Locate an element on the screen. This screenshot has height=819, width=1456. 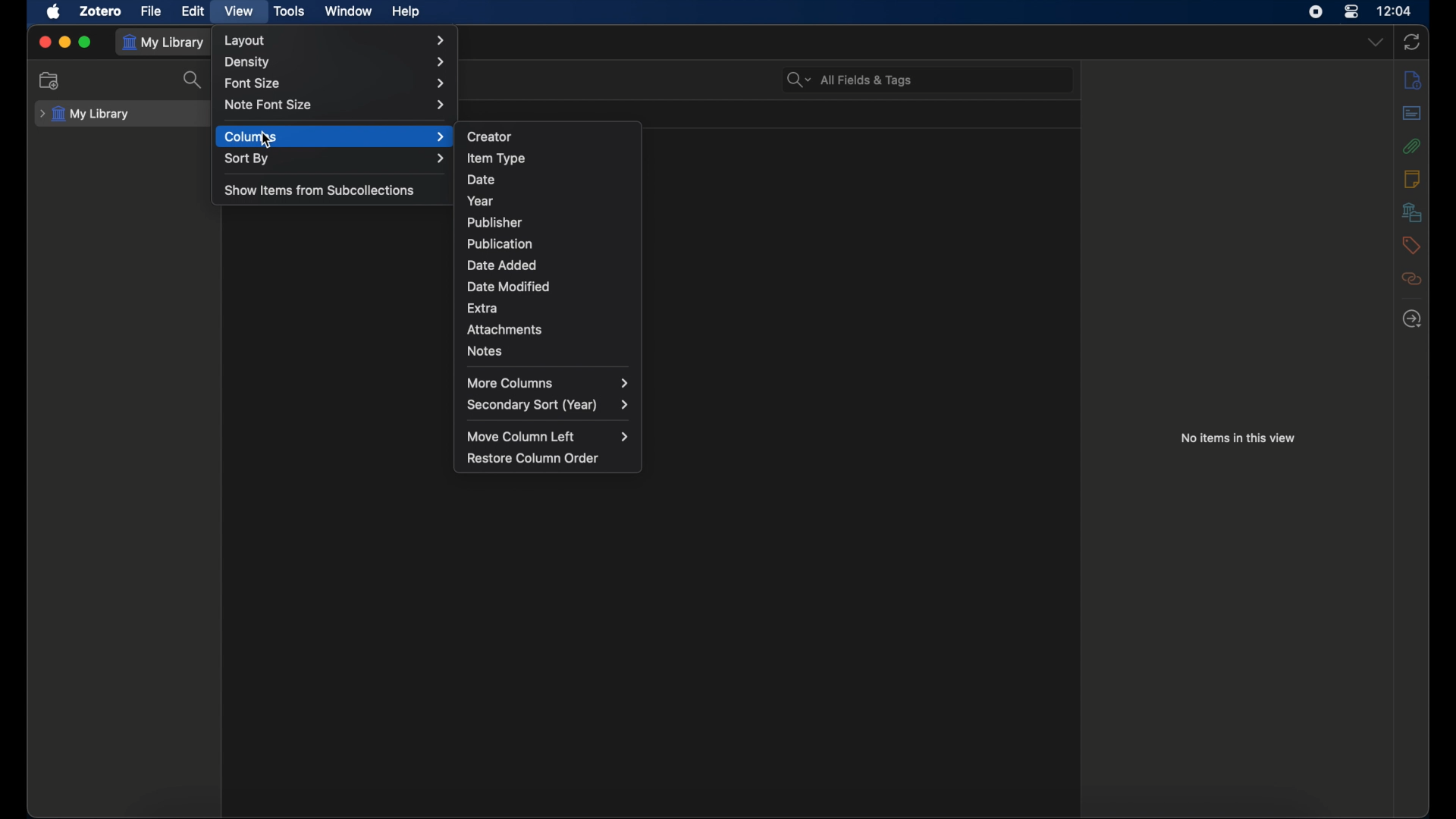
my library is located at coordinates (164, 42).